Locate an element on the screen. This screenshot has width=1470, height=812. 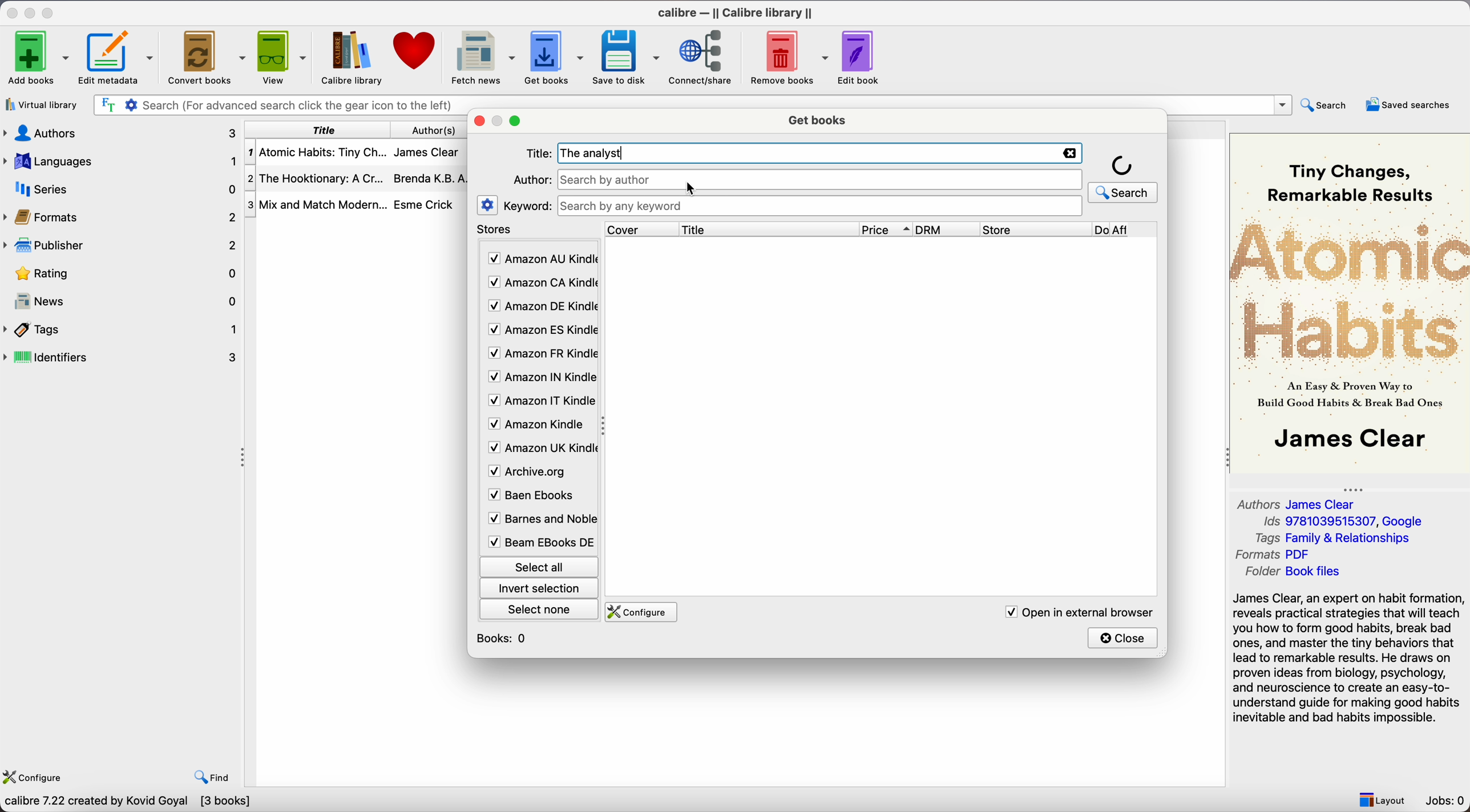
books: 0 is located at coordinates (504, 638).